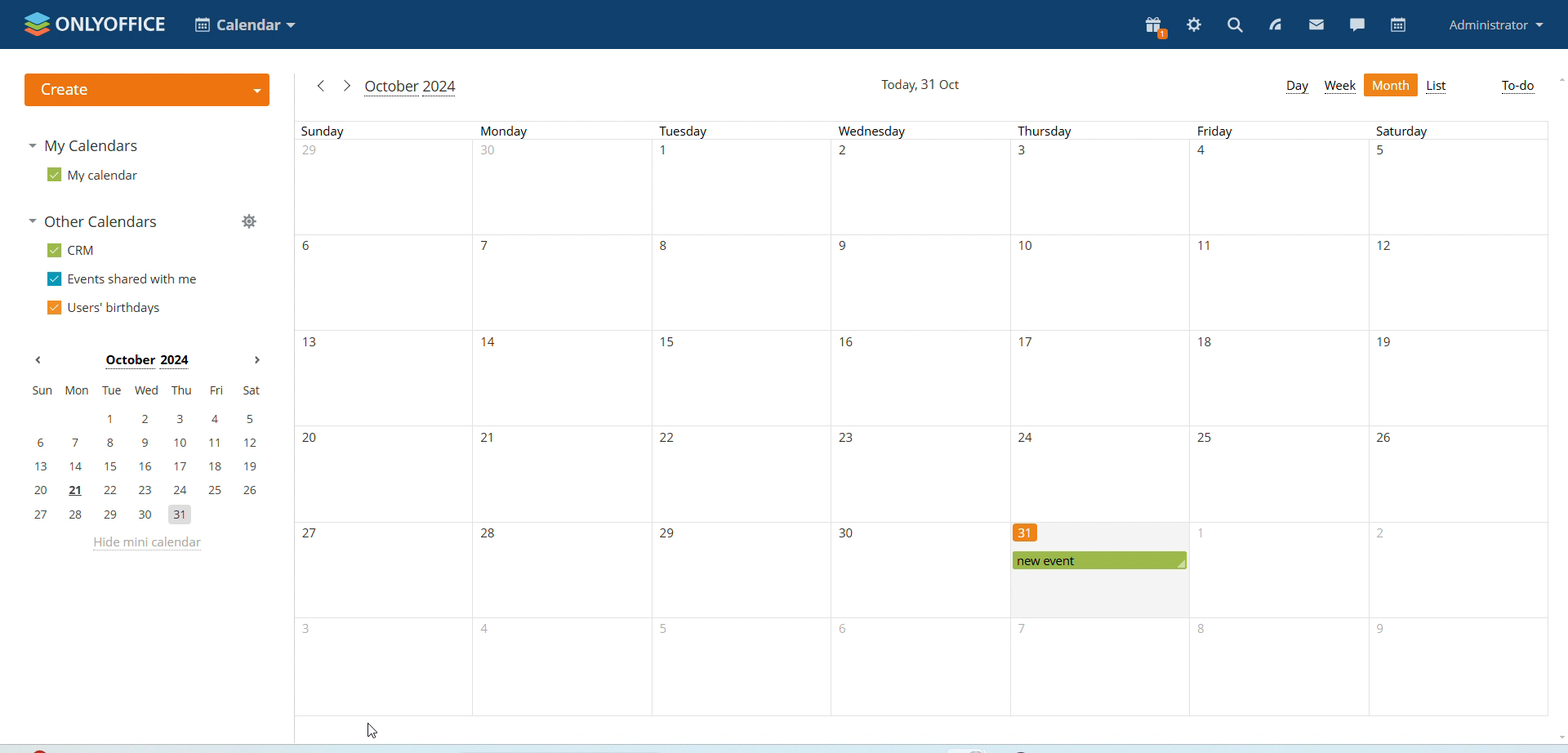 This screenshot has width=1568, height=753. I want to click on calendar, so click(1400, 25).